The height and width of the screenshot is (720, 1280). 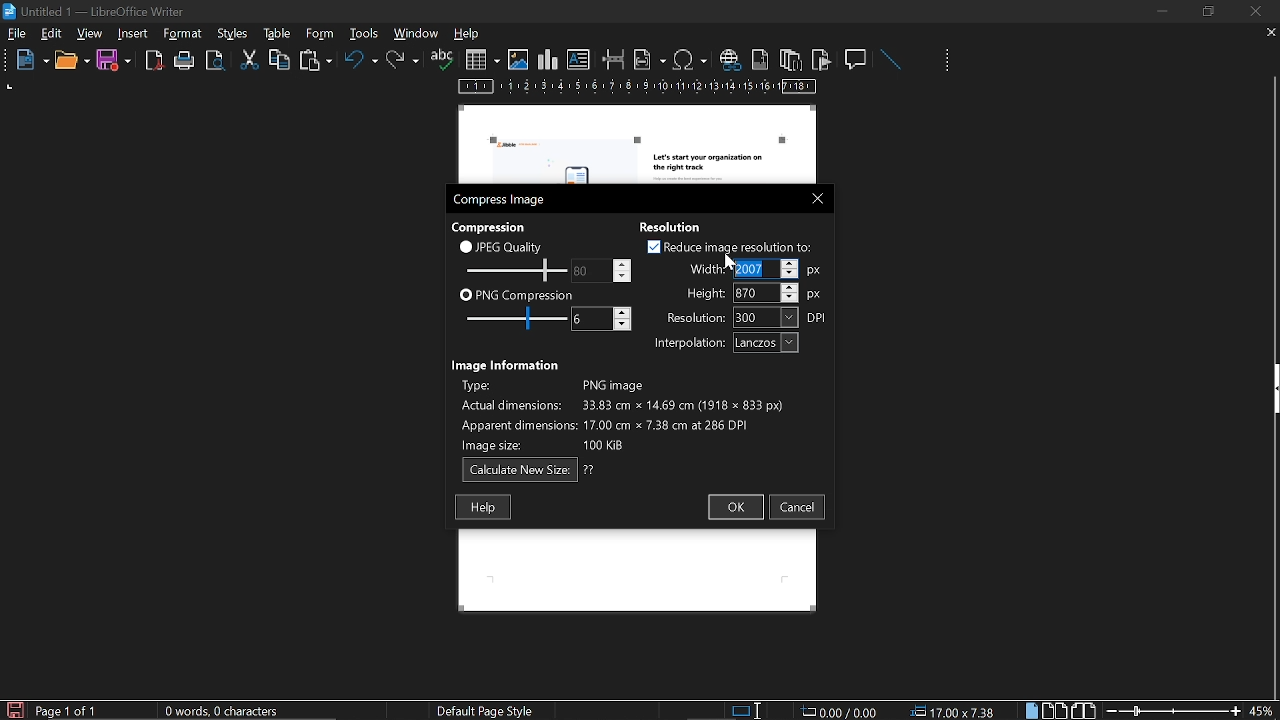 What do you see at coordinates (470, 35) in the screenshot?
I see `help` at bounding box center [470, 35].